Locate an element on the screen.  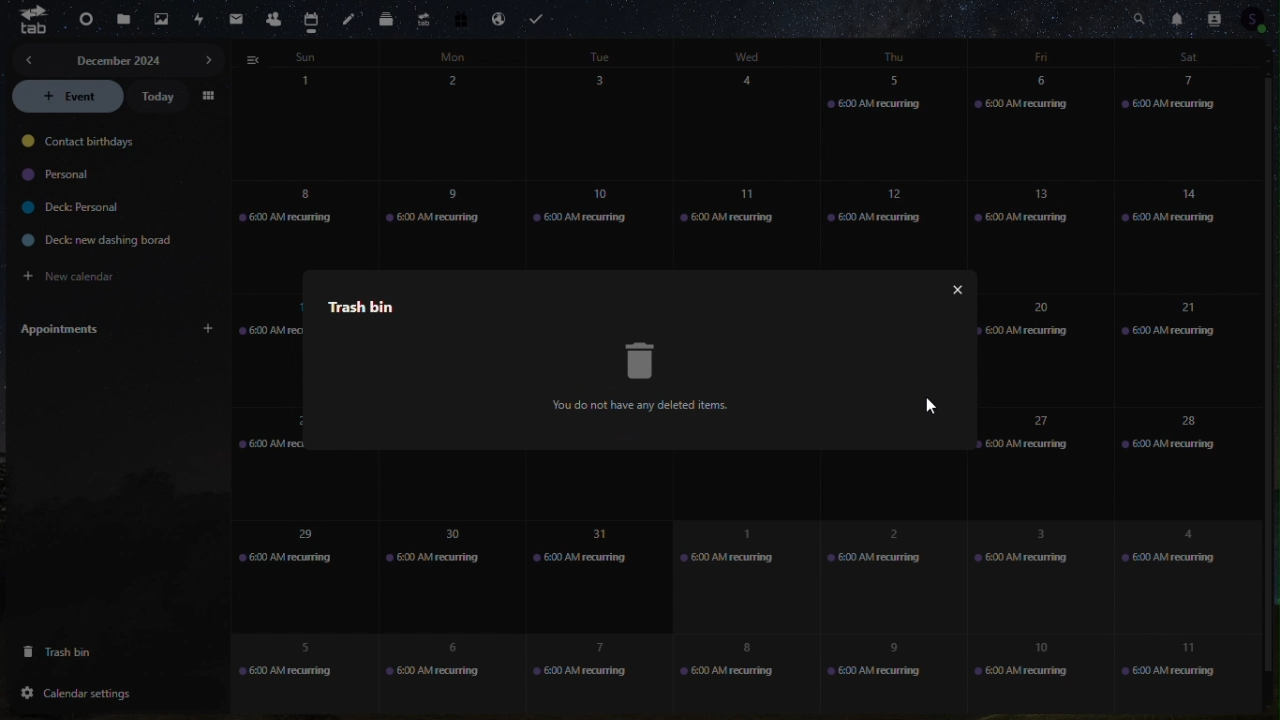
activity is located at coordinates (198, 20).